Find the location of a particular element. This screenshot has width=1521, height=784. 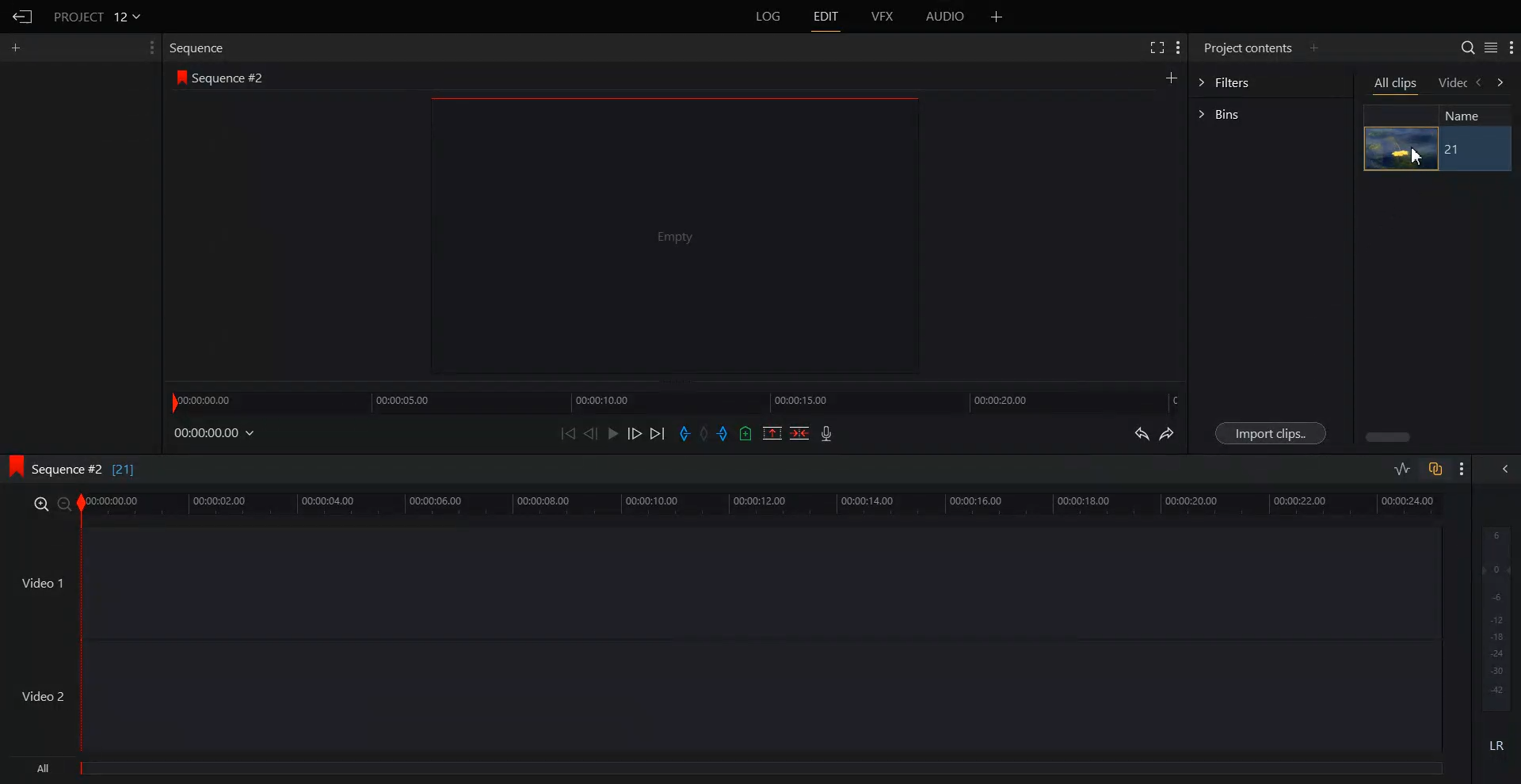

Filters is located at coordinates (1270, 81).